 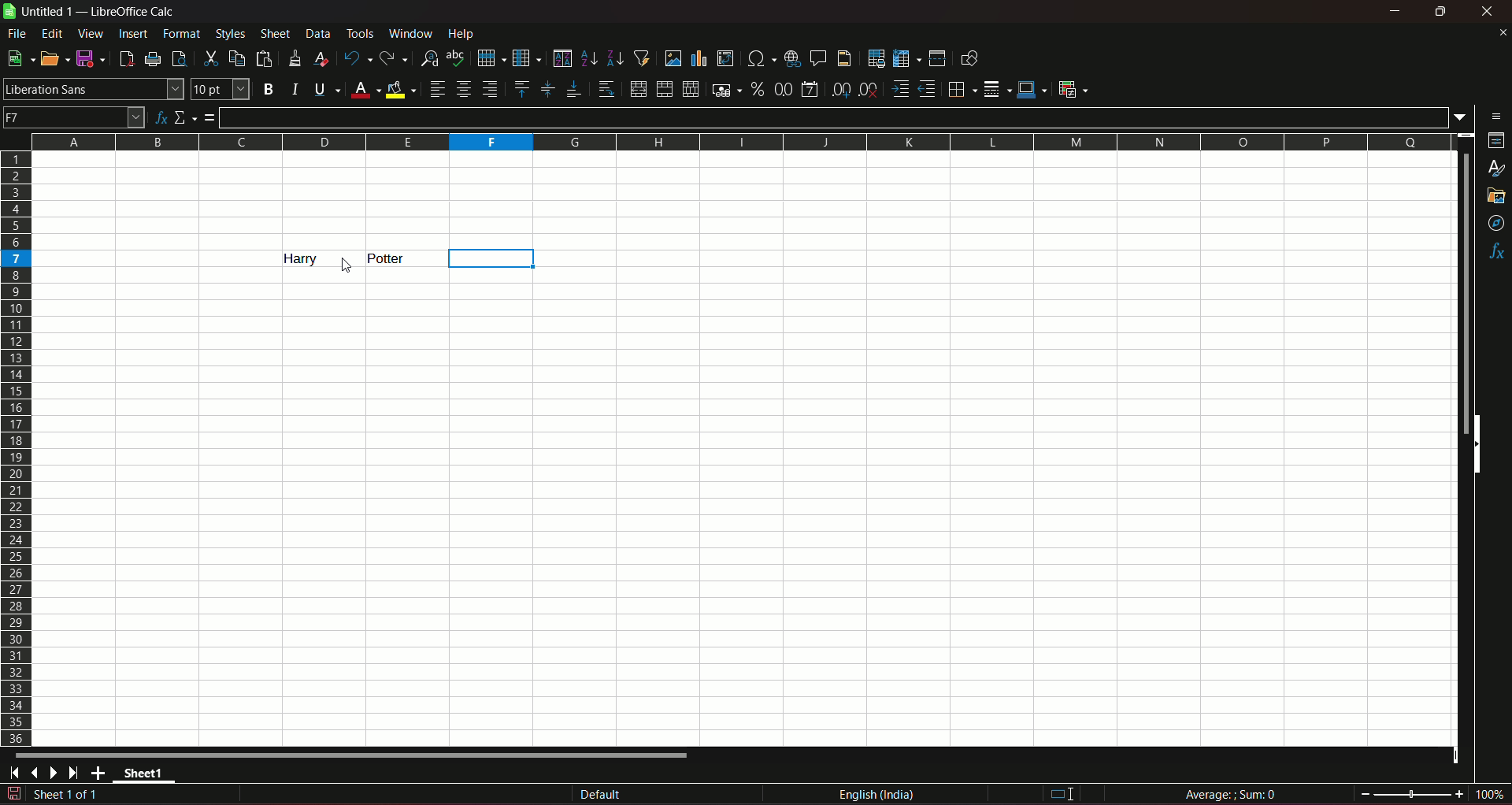 What do you see at coordinates (218, 90) in the screenshot?
I see `font size` at bounding box center [218, 90].